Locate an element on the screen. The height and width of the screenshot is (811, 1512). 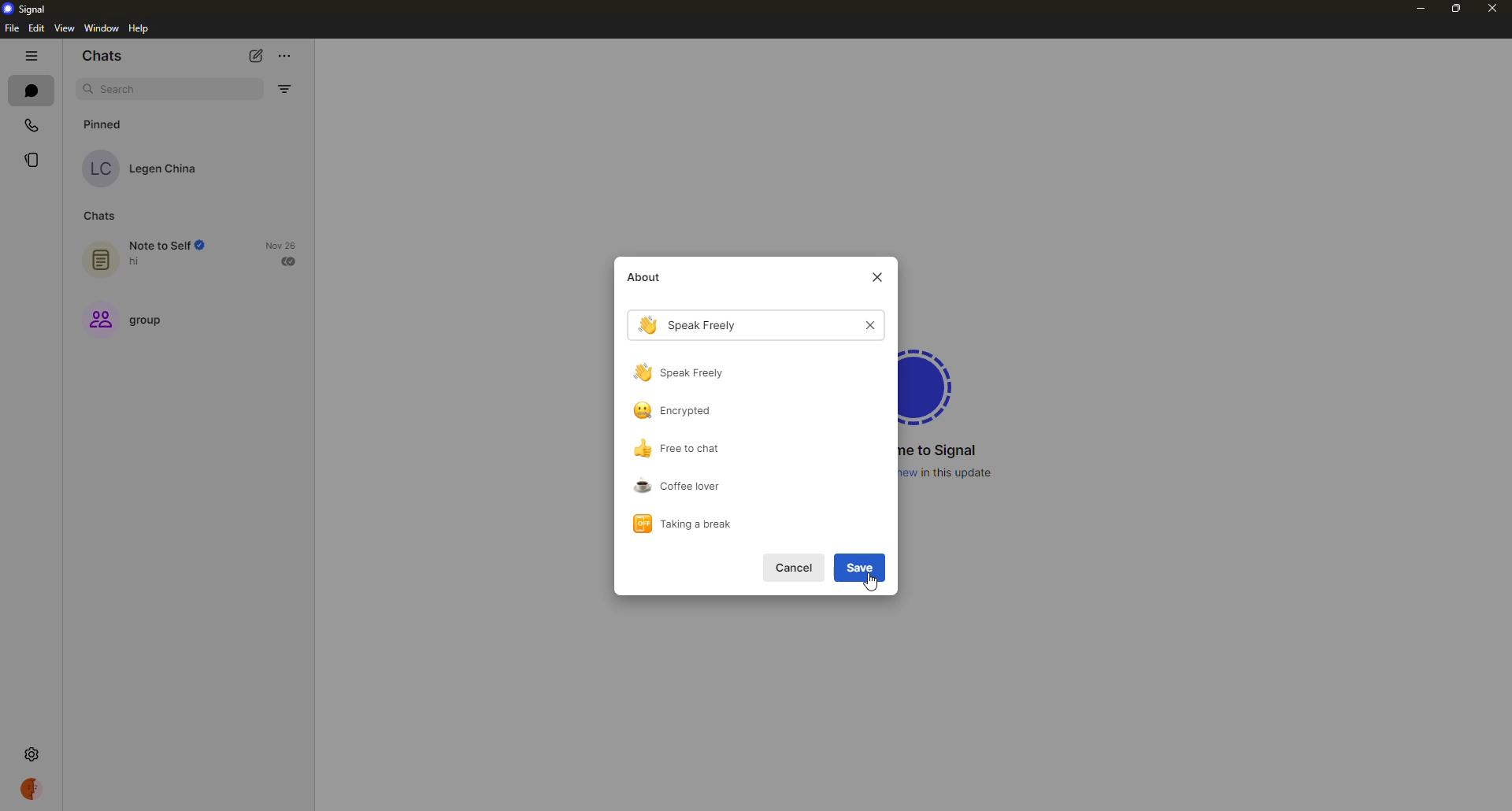
chats is located at coordinates (98, 217).